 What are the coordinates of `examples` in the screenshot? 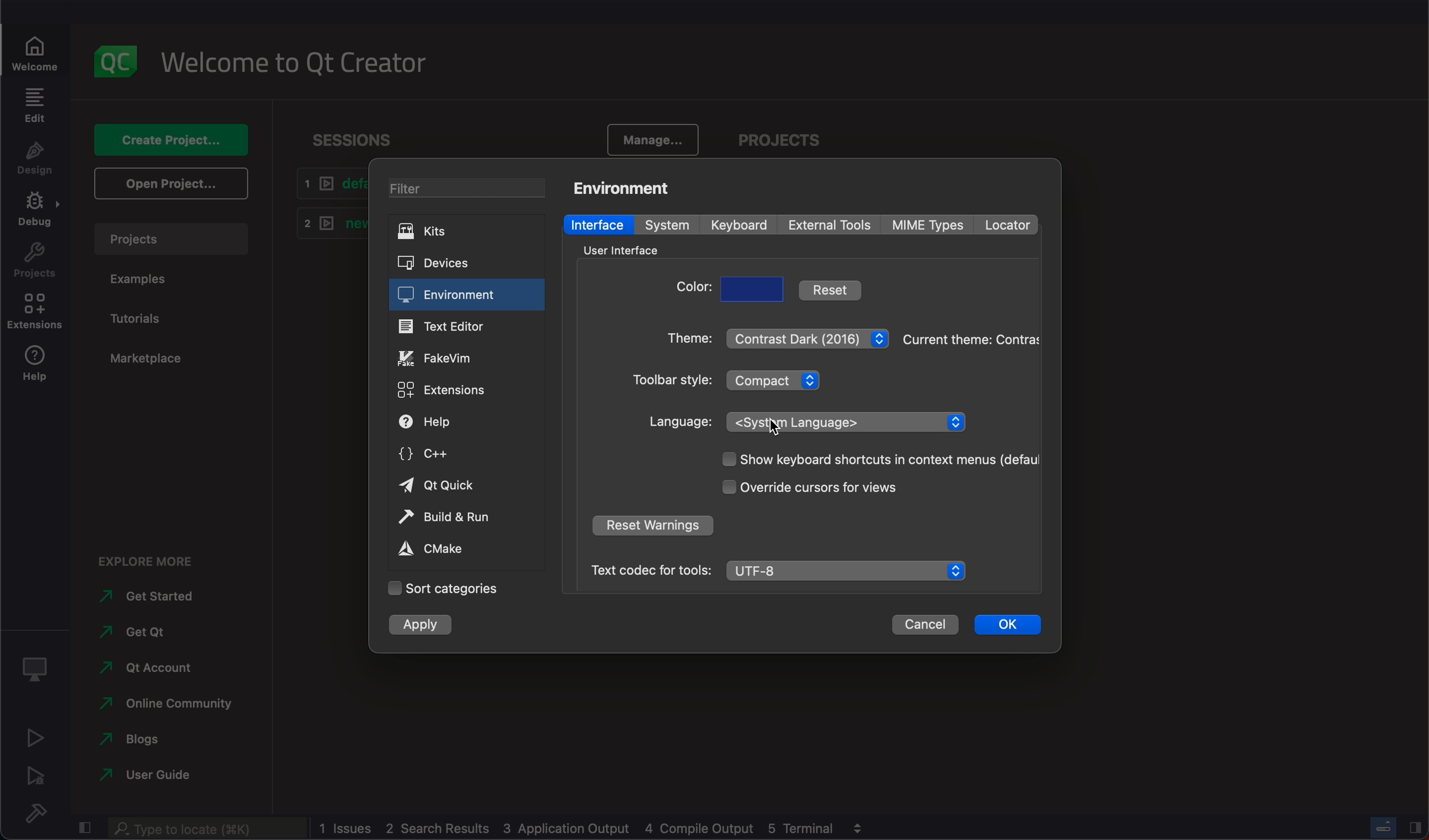 It's located at (146, 278).